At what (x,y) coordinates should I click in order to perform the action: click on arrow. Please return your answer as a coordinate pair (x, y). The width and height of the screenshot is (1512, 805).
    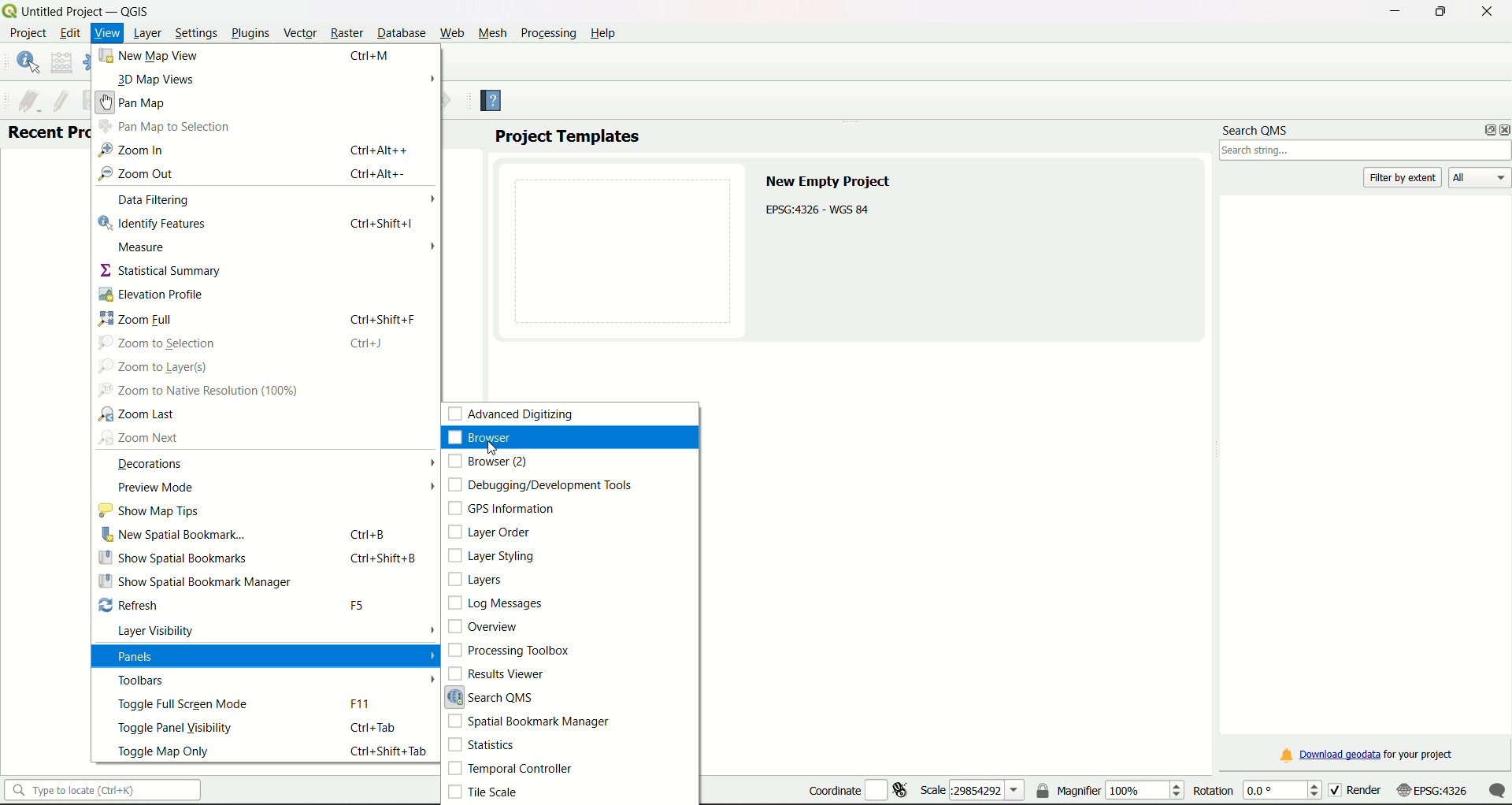
    Looking at the image, I should click on (429, 487).